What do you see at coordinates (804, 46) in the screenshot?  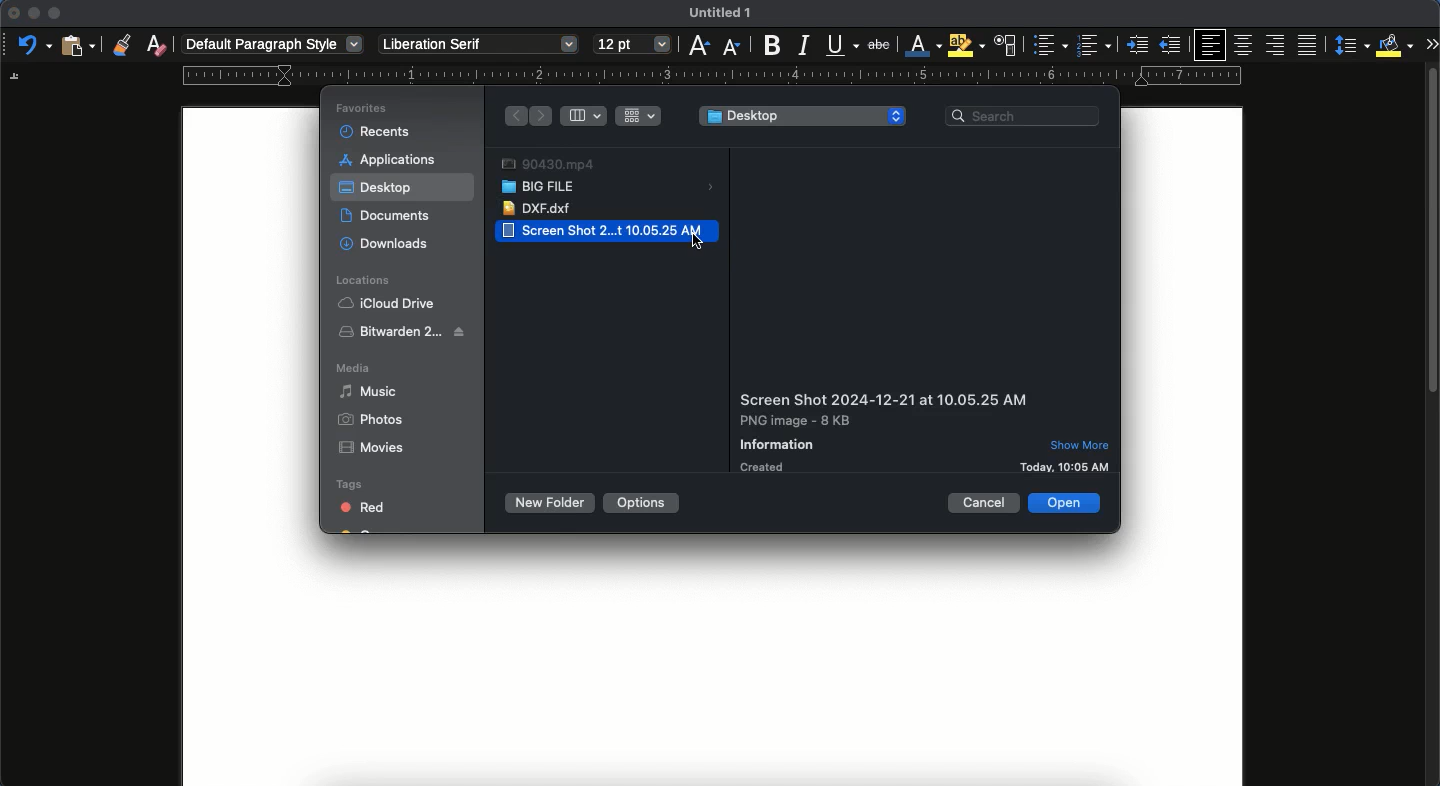 I see `italics` at bounding box center [804, 46].